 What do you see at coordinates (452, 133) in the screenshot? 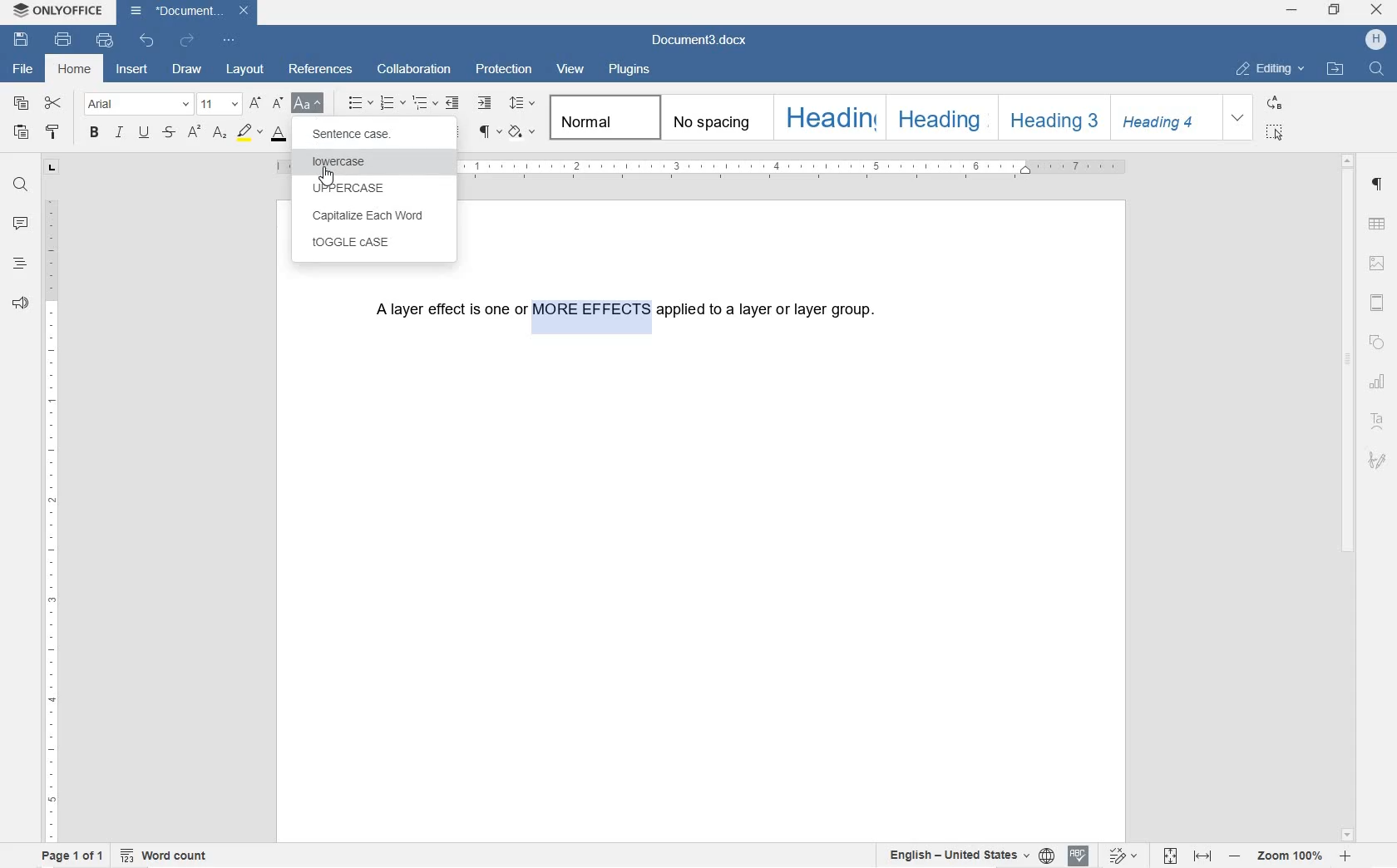
I see `JUSTIFIED` at bounding box center [452, 133].